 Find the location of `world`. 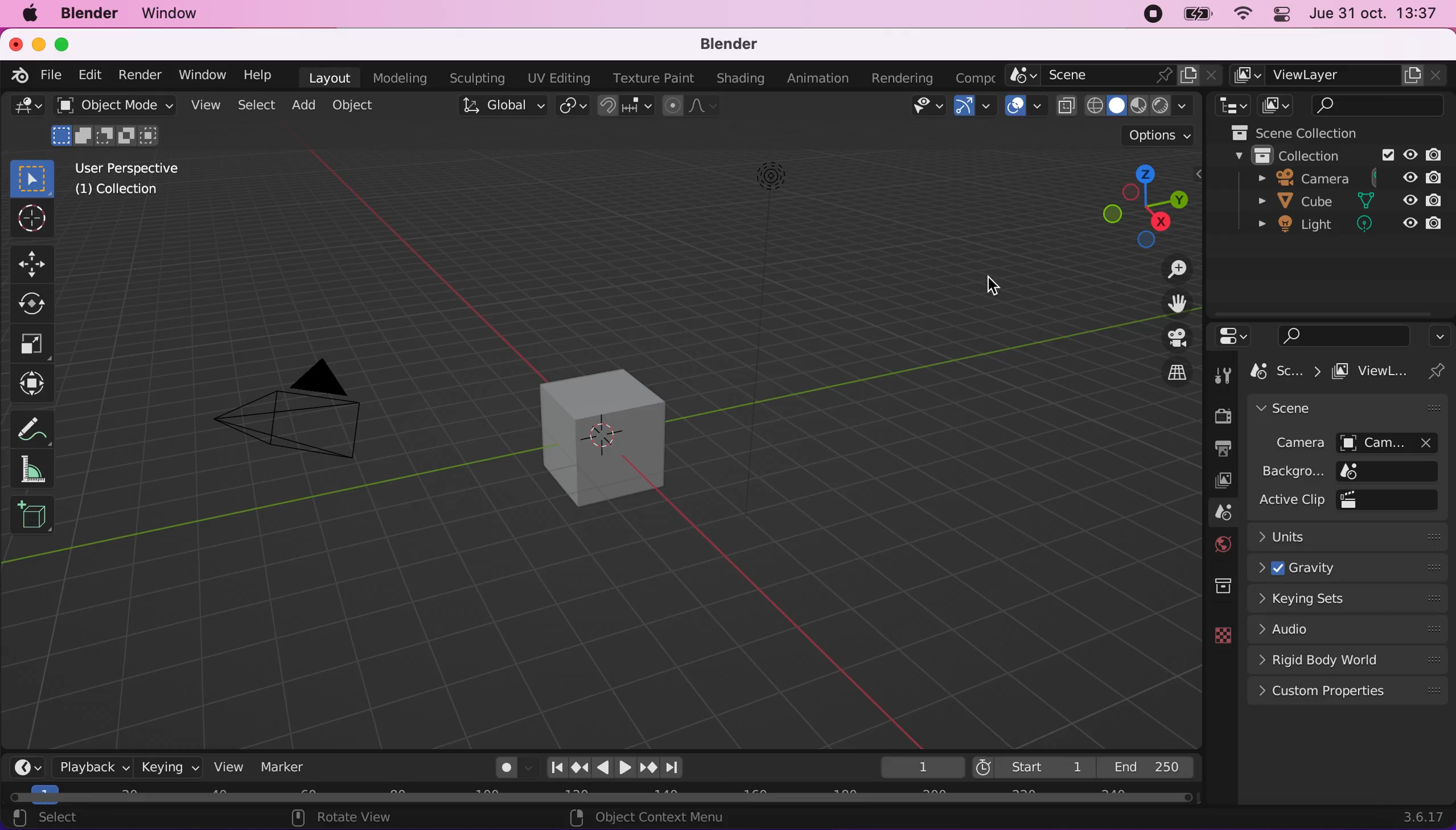

world is located at coordinates (1216, 544).